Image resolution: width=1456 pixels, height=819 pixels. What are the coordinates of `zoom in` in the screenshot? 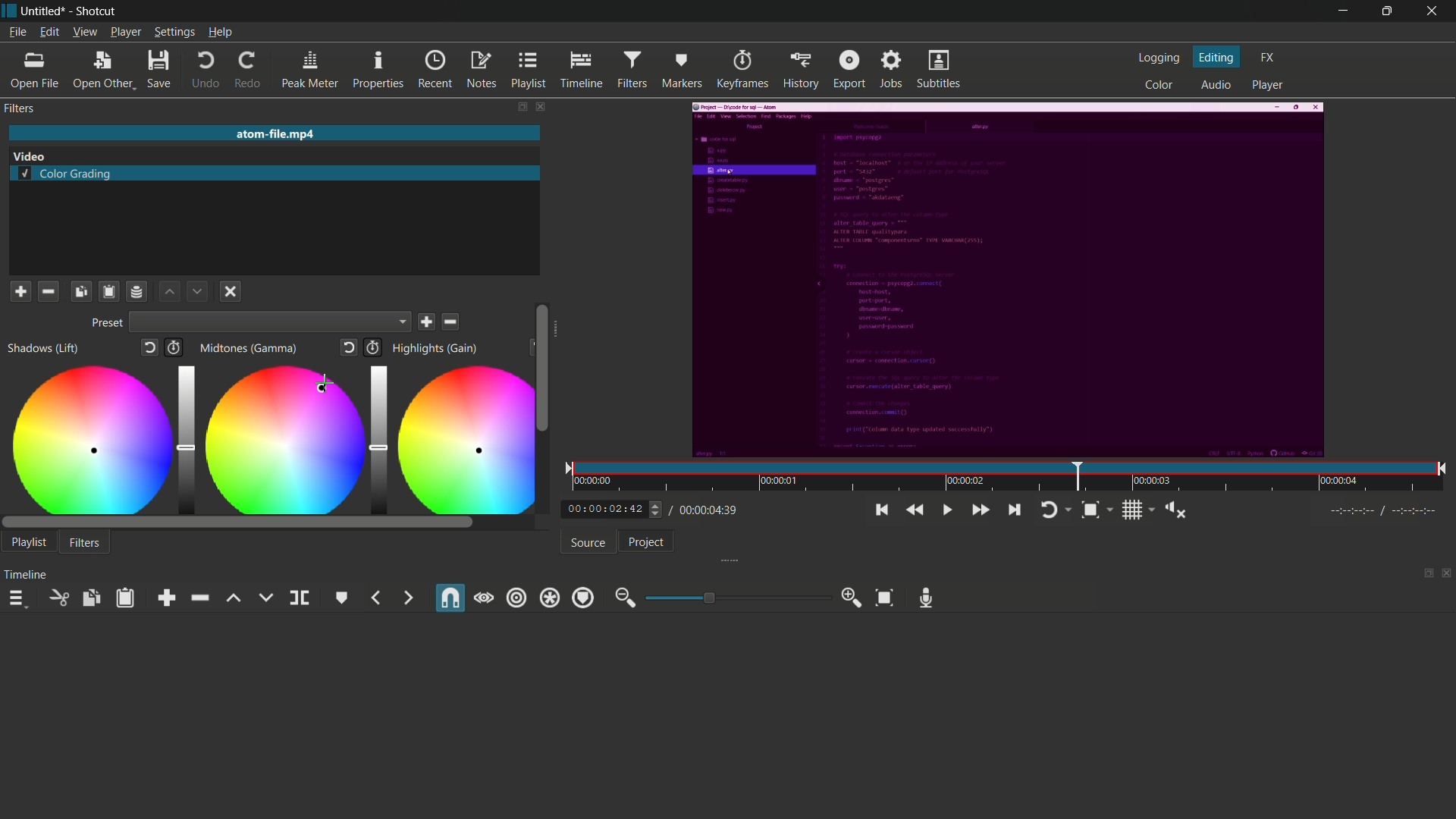 It's located at (852, 598).